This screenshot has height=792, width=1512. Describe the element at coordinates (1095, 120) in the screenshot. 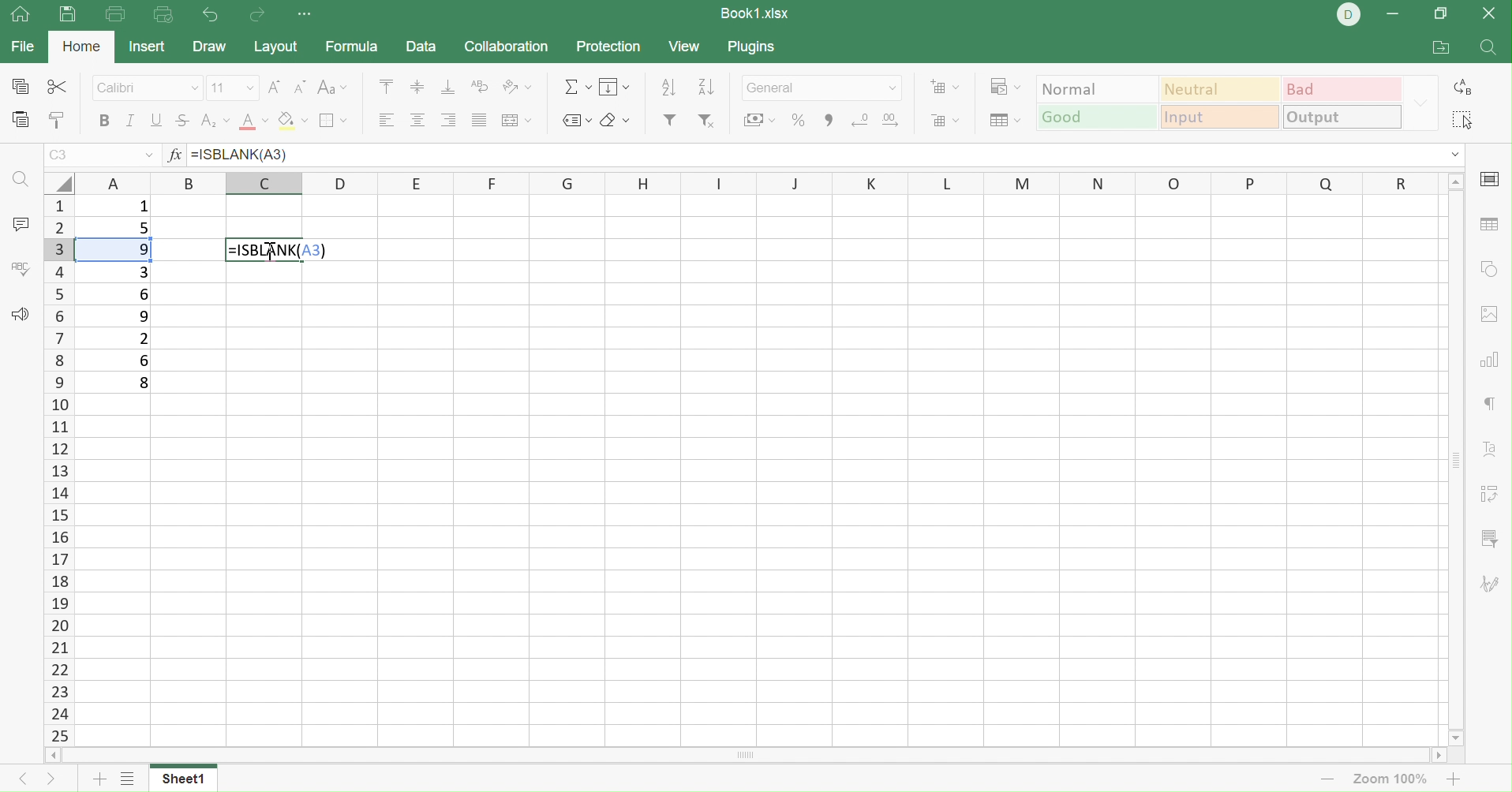

I see `Good` at that location.